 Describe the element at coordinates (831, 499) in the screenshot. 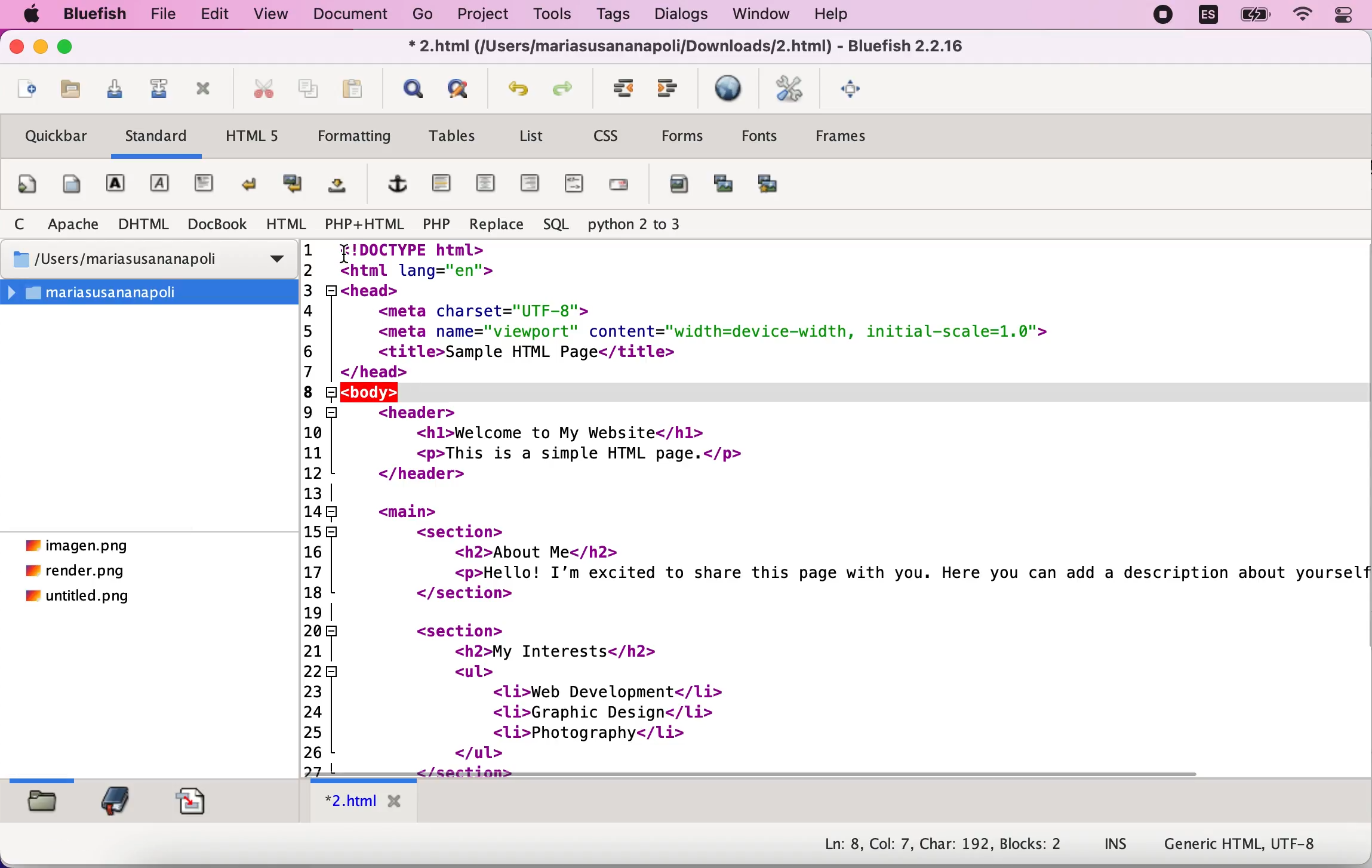

I see `<!DOCTYPE html>2 <html lang="en">3 <head>4 <meta charset="UTF-8">5 <meta name="viewport" content="width=device-width, initial-scale=1.0">6 <title>Sample HTML Page</title>7 | </head>(Jz|<body>!9 <header>10 <hl>Welcome to My Website</hl>11 <p>This is a simple HTML page.</p>12 </header>13 |148 <main>15 <section>if <h2>About Me</h2>17 <p>Hello! I'm excited to share this page with you. Here you can add a description about yoursel18 </section>19 |20 <section>21] <h2>My Interests</h2>22 <ul>23 <li>Web Development</li>24 <li>Graphic Design</li>25 <li>Photography</1i>26 </ul>` at that location.